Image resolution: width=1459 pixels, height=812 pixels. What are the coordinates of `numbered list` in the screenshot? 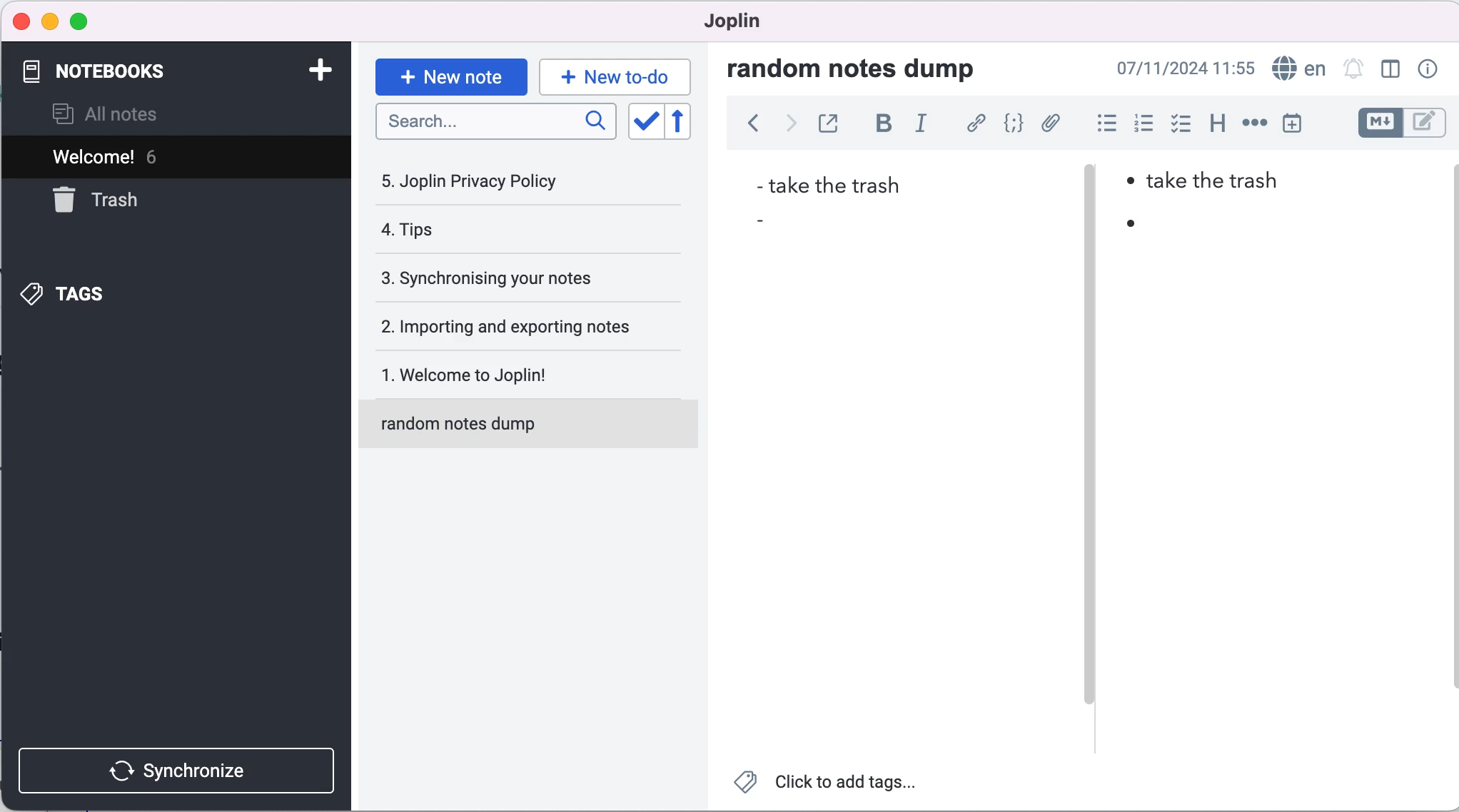 It's located at (1141, 123).